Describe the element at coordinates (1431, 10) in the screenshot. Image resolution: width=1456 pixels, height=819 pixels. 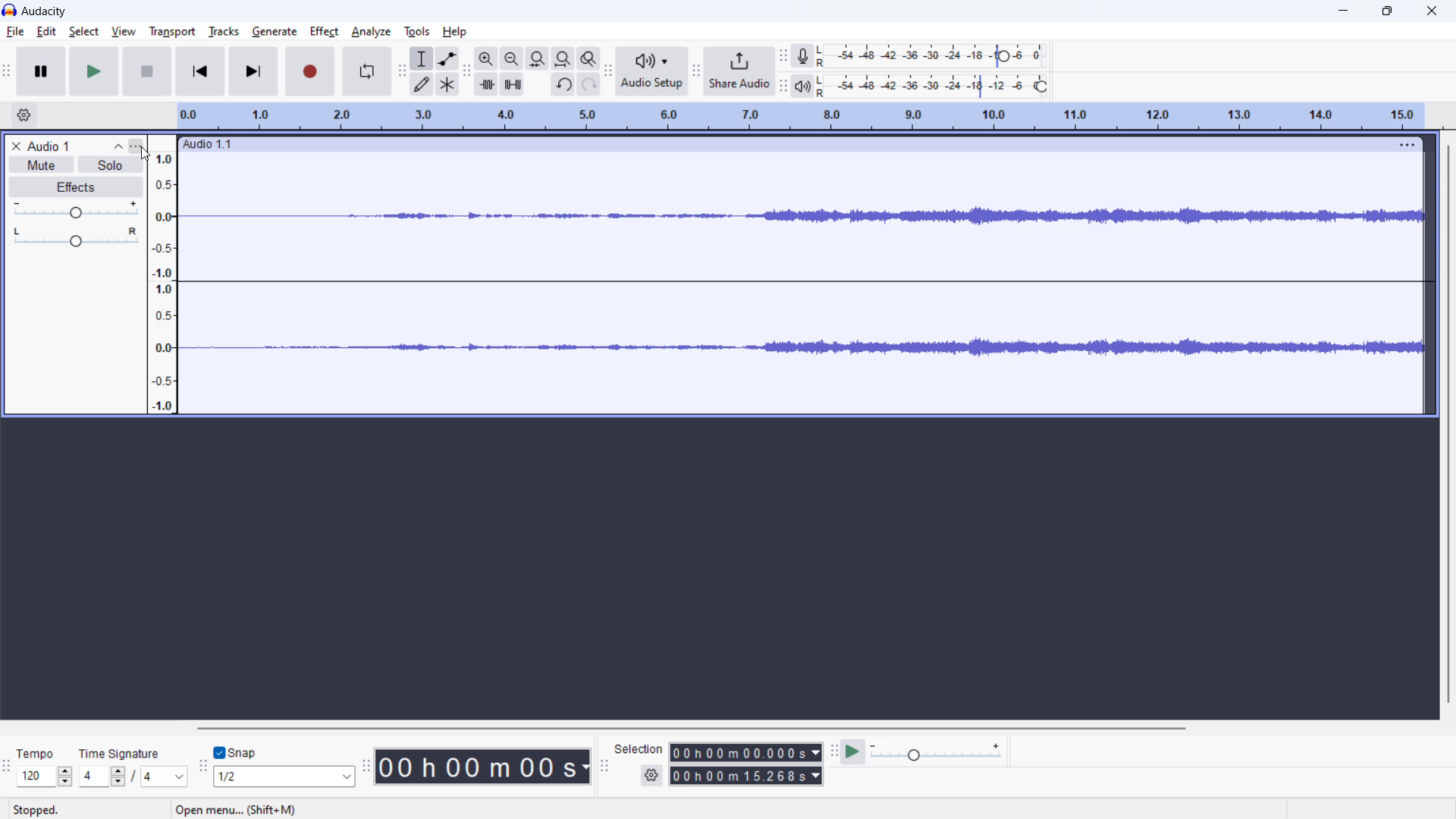
I see `close` at that location.